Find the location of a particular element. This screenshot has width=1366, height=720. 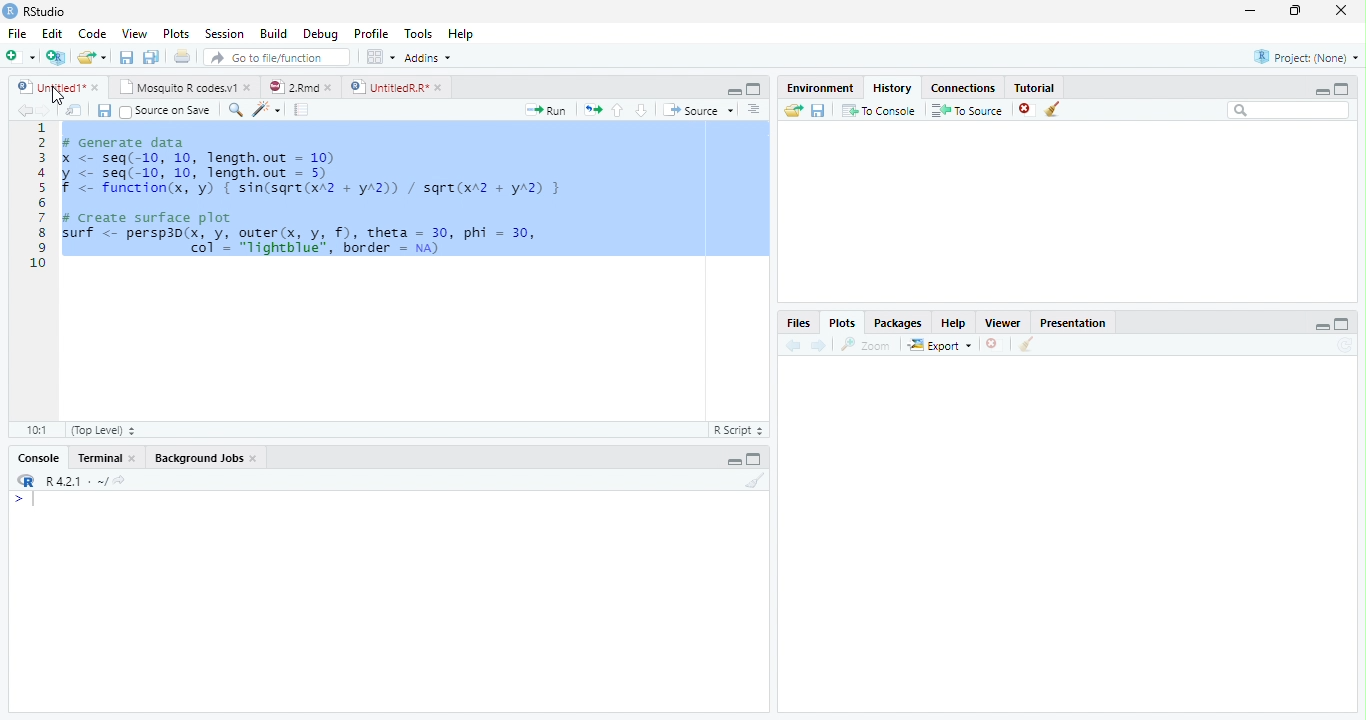

maximize is located at coordinates (1342, 89).